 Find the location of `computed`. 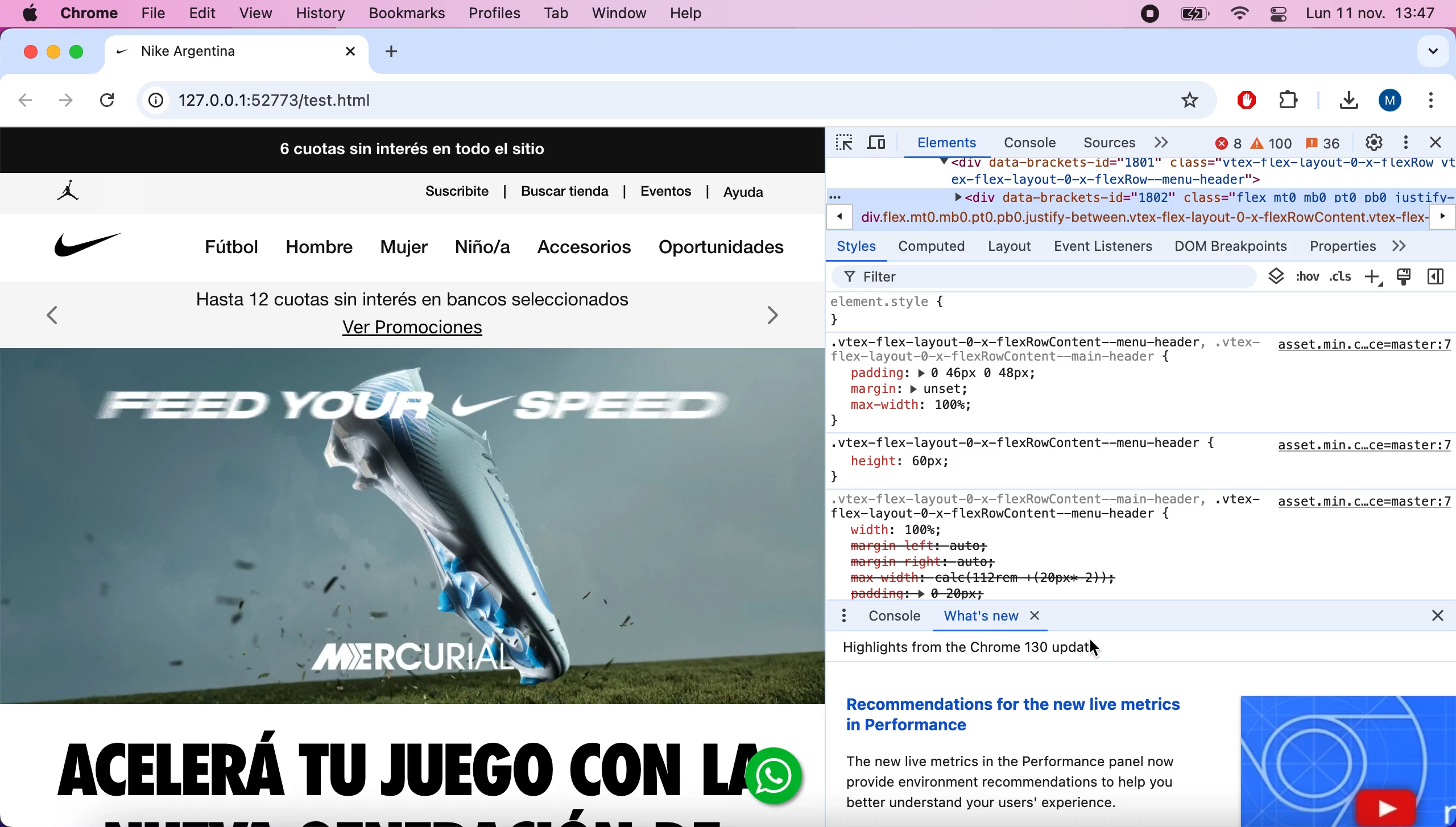

computed is located at coordinates (934, 248).